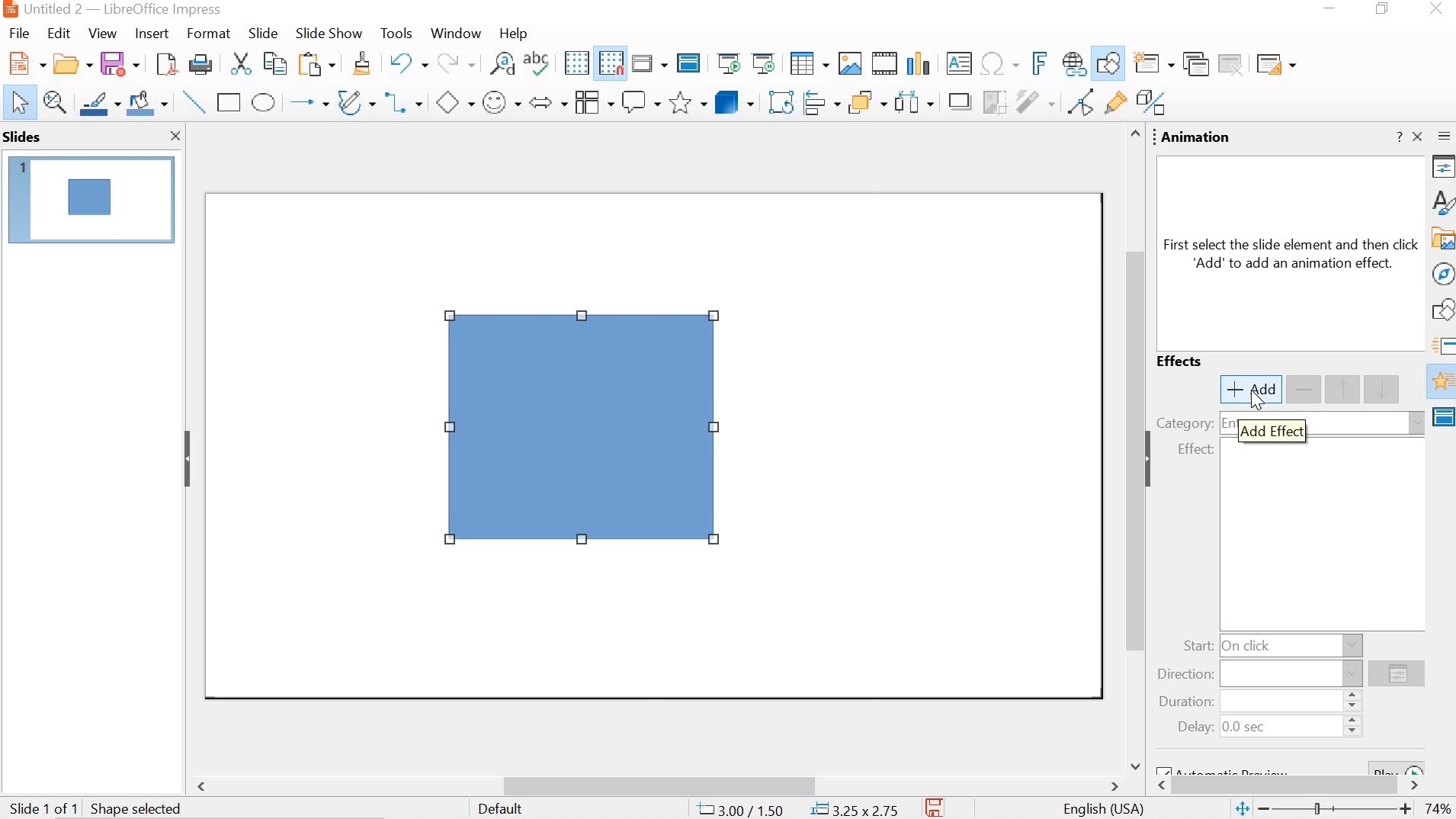 Image resolution: width=1456 pixels, height=819 pixels. What do you see at coordinates (1444, 136) in the screenshot?
I see `sidebar settings` at bounding box center [1444, 136].